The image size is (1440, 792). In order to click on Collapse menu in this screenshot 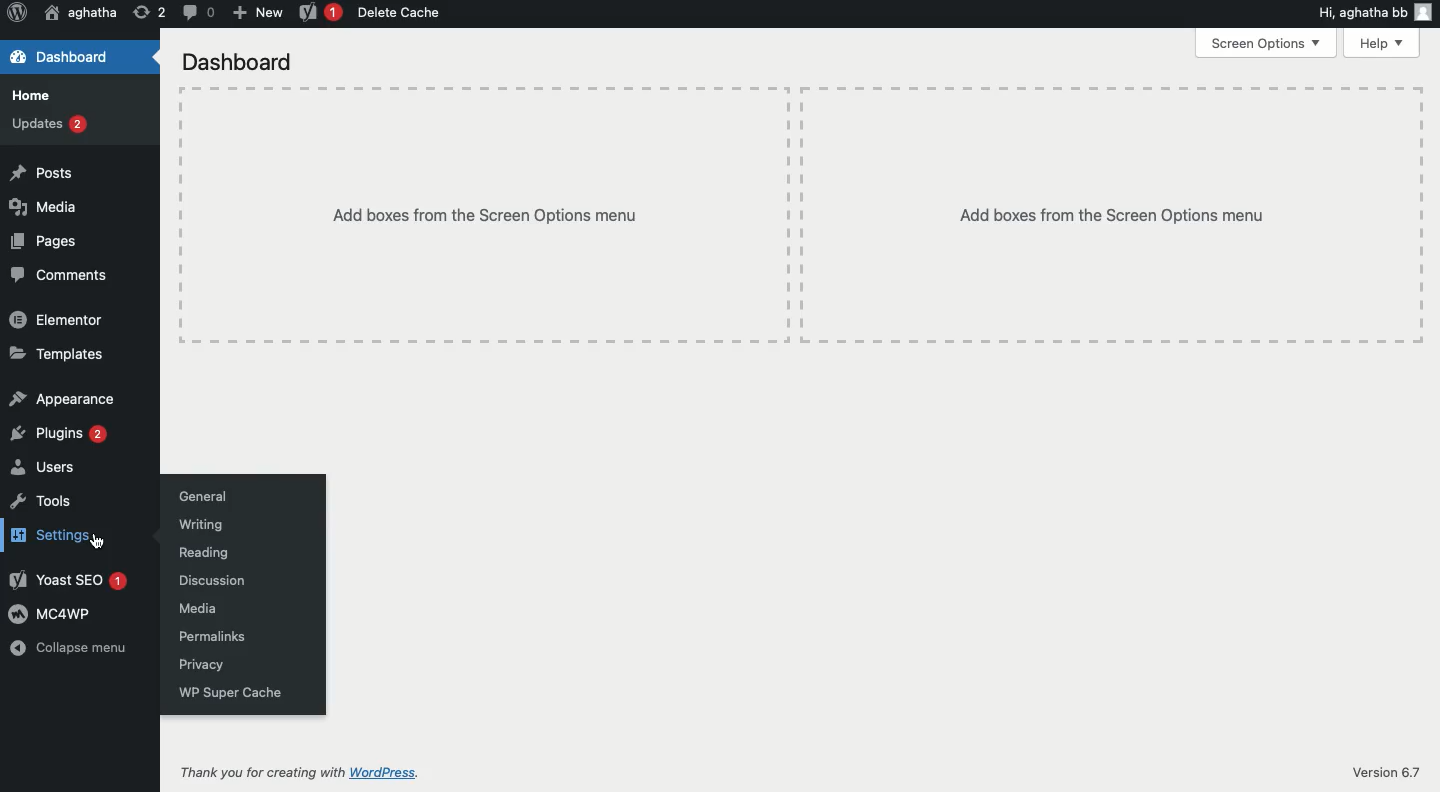, I will do `click(67, 648)`.